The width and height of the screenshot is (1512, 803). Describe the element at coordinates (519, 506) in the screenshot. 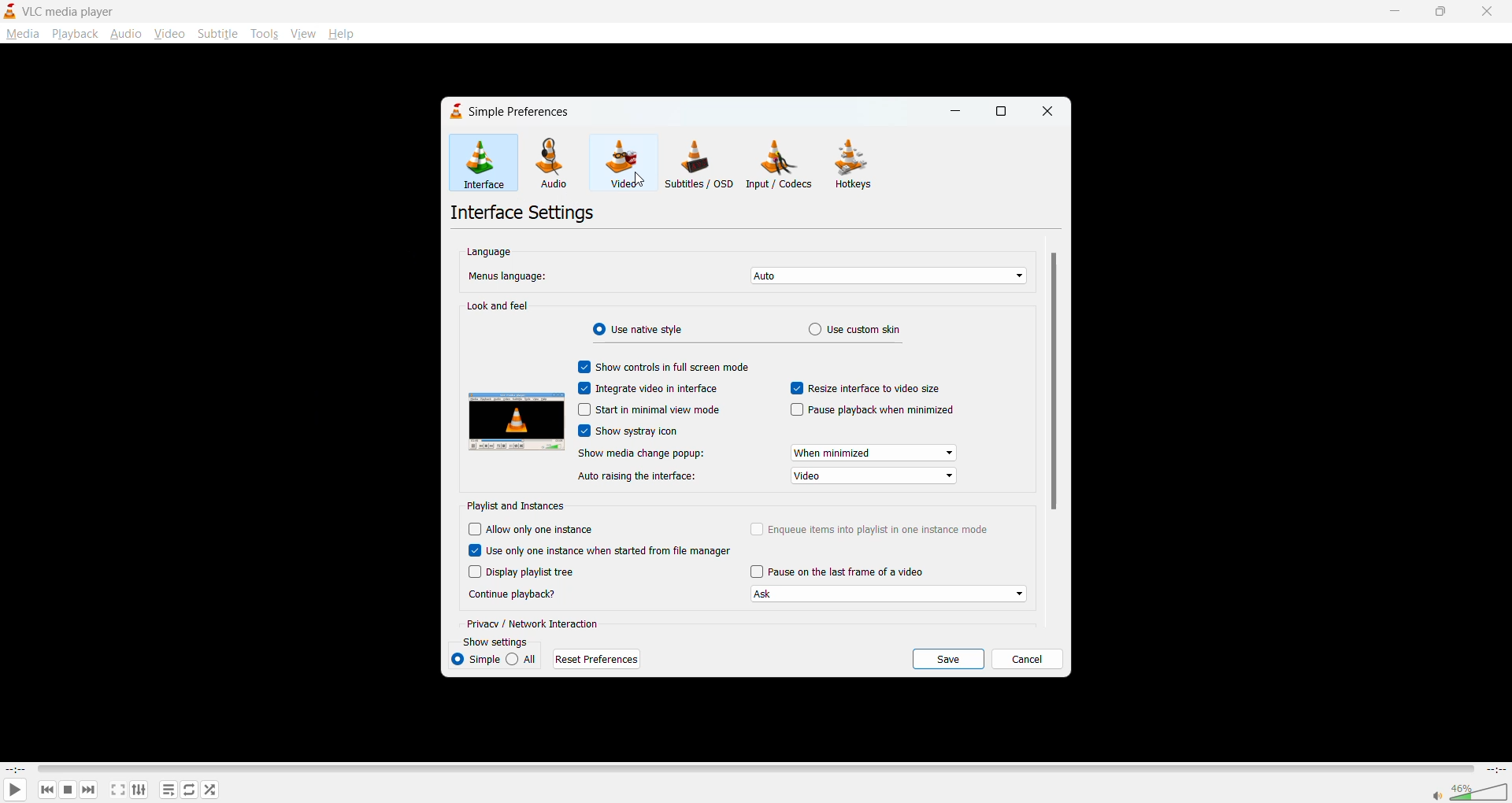

I see `playlist and instances` at that location.